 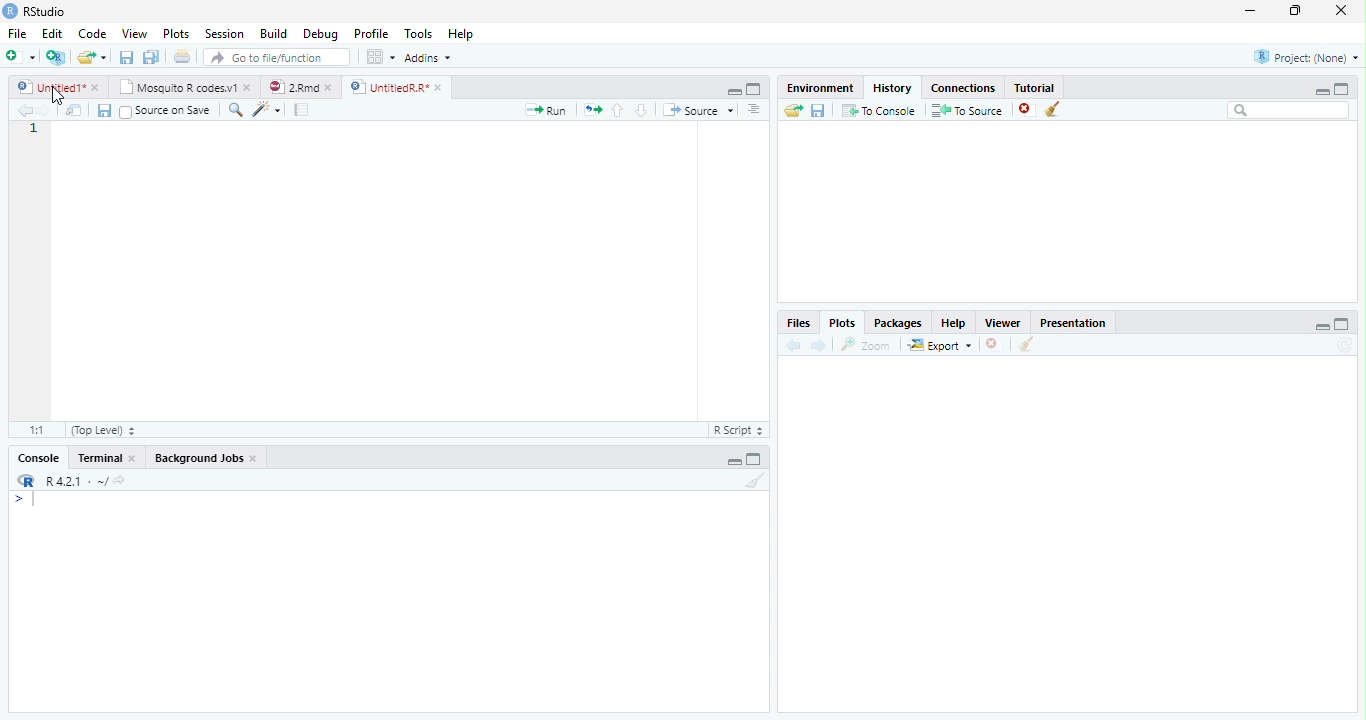 What do you see at coordinates (1322, 91) in the screenshot?
I see `minimize` at bounding box center [1322, 91].